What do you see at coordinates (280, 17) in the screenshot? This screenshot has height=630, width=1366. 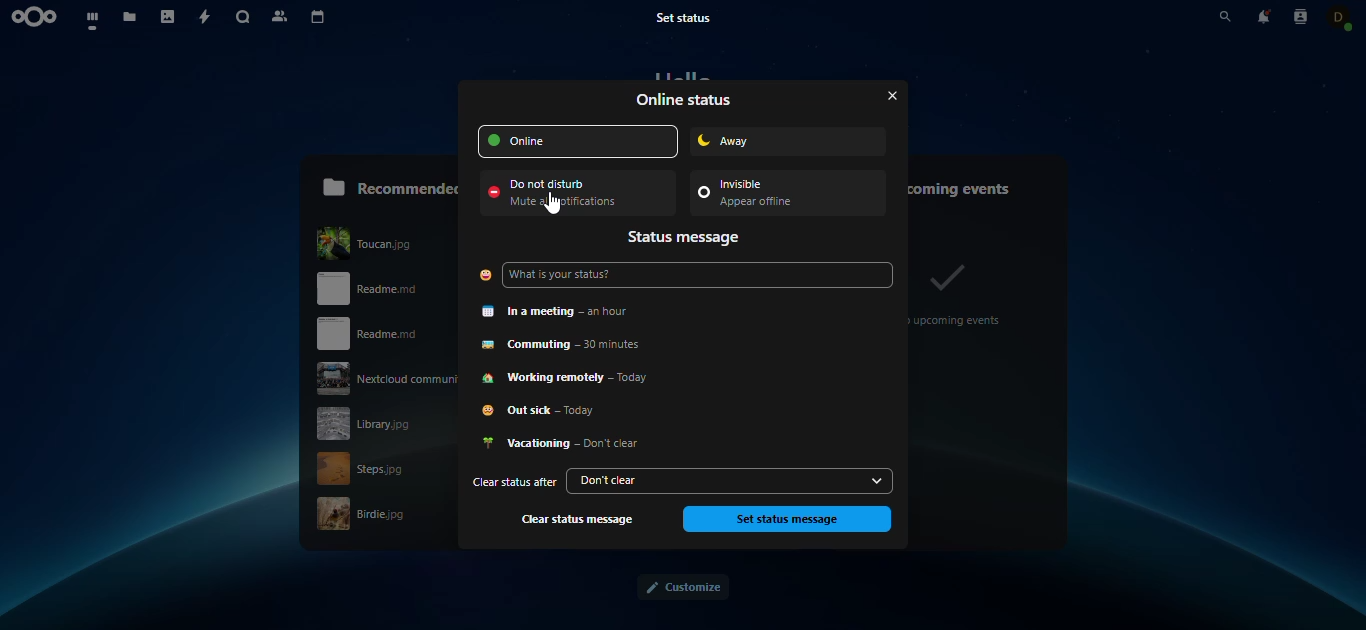 I see `contacts` at bounding box center [280, 17].